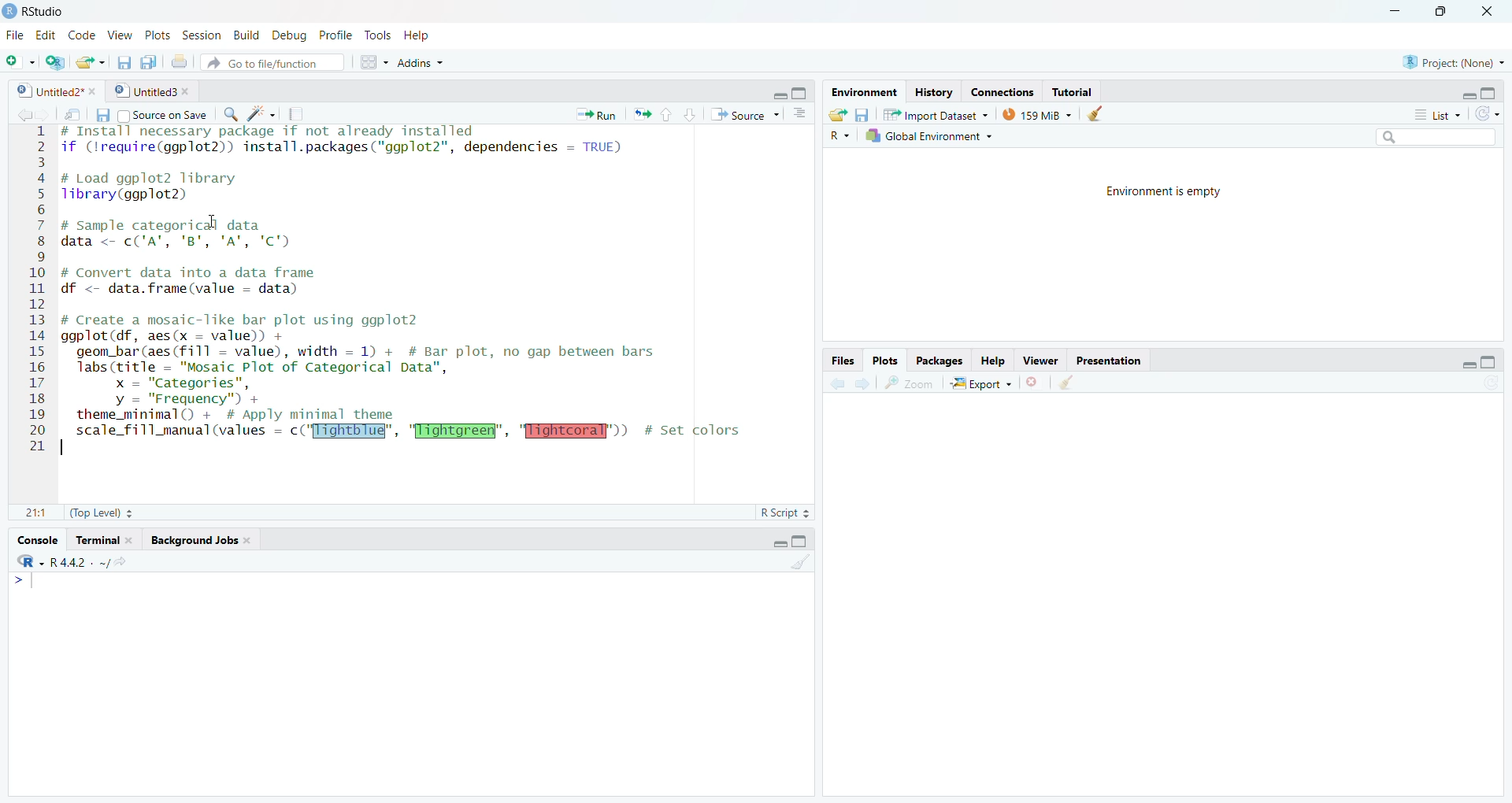 The height and width of the screenshot is (803, 1512). I want to click on Compile Report, so click(301, 115).